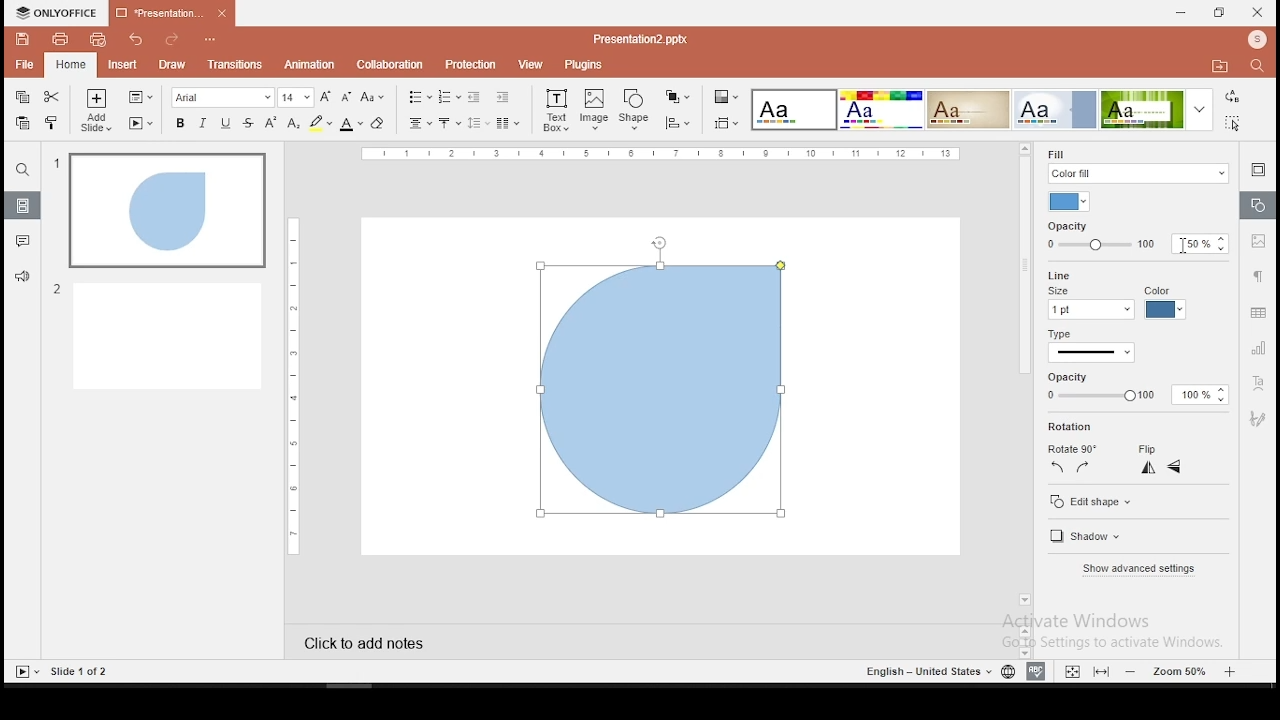 This screenshot has height=720, width=1280. I want to click on line size, so click(1090, 303).